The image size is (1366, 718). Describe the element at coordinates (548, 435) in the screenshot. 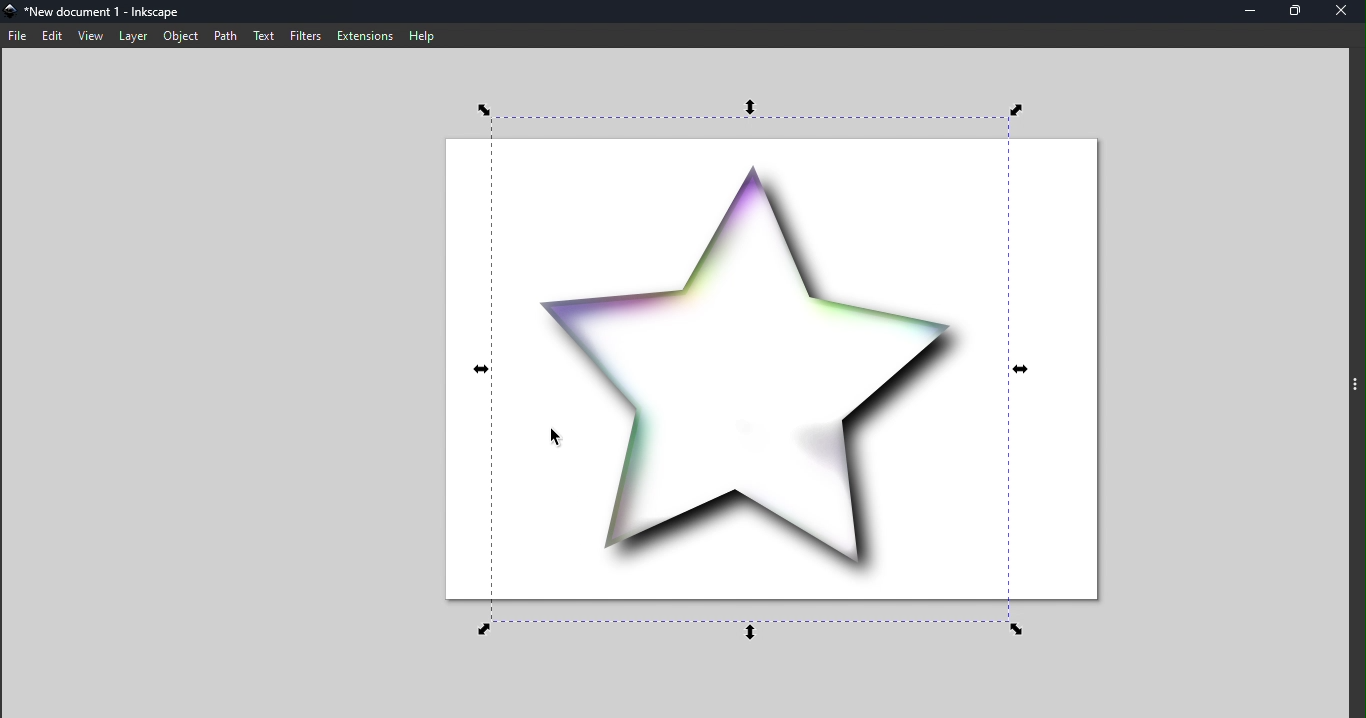

I see `cursor` at that location.